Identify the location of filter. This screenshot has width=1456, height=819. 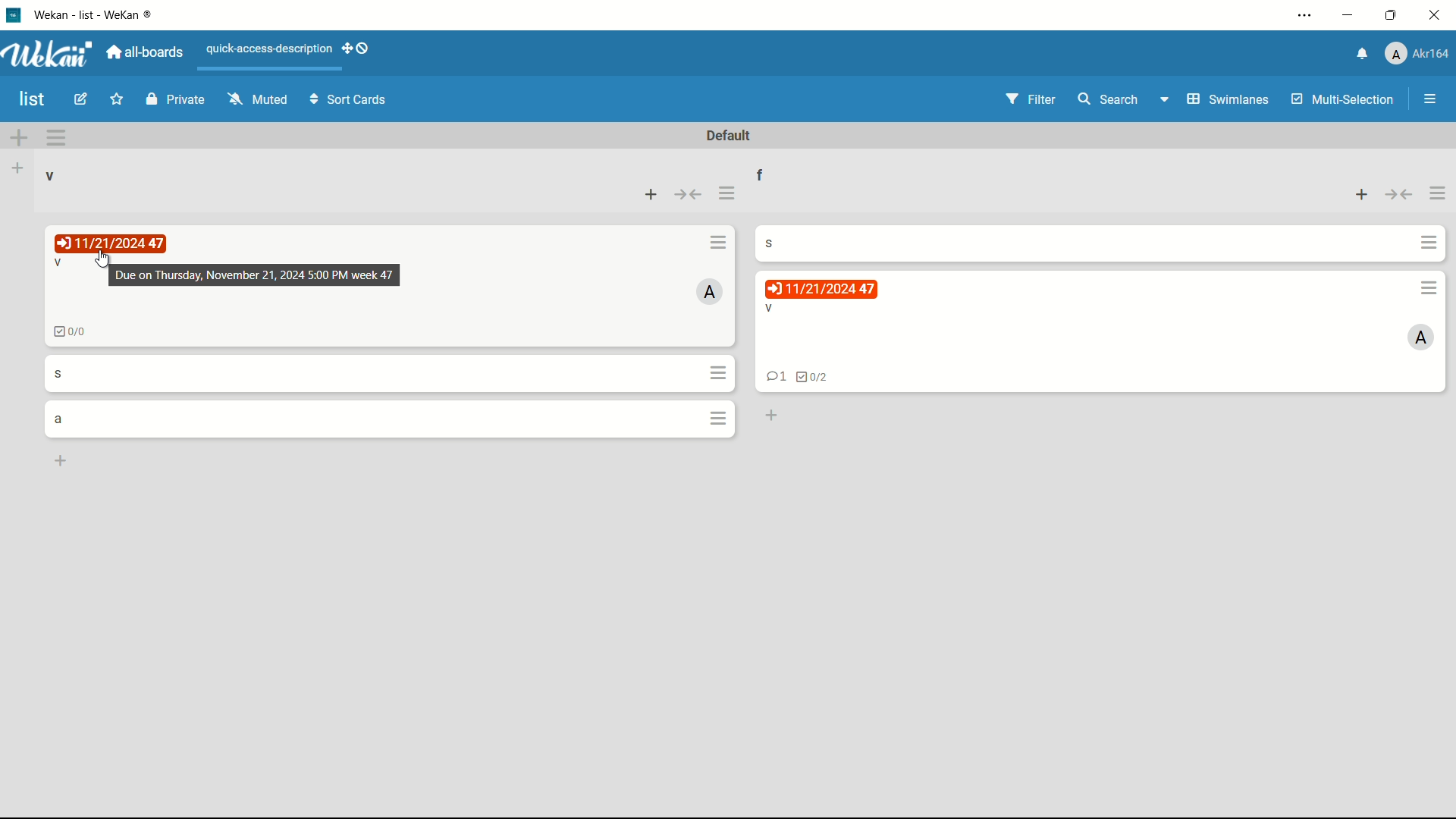
(1031, 99).